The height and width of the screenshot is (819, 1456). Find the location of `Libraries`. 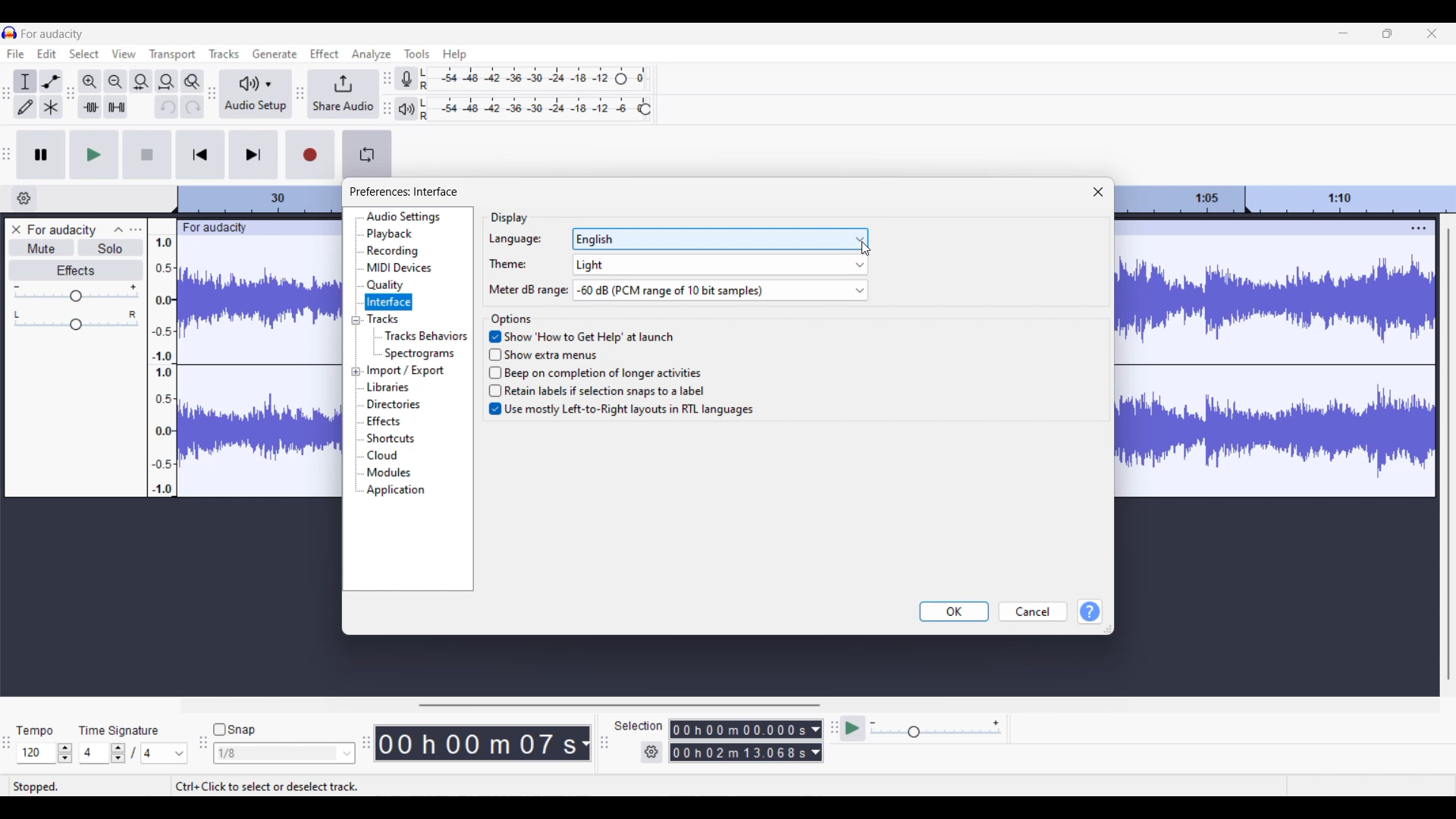

Libraries is located at coordinates (387, 387).